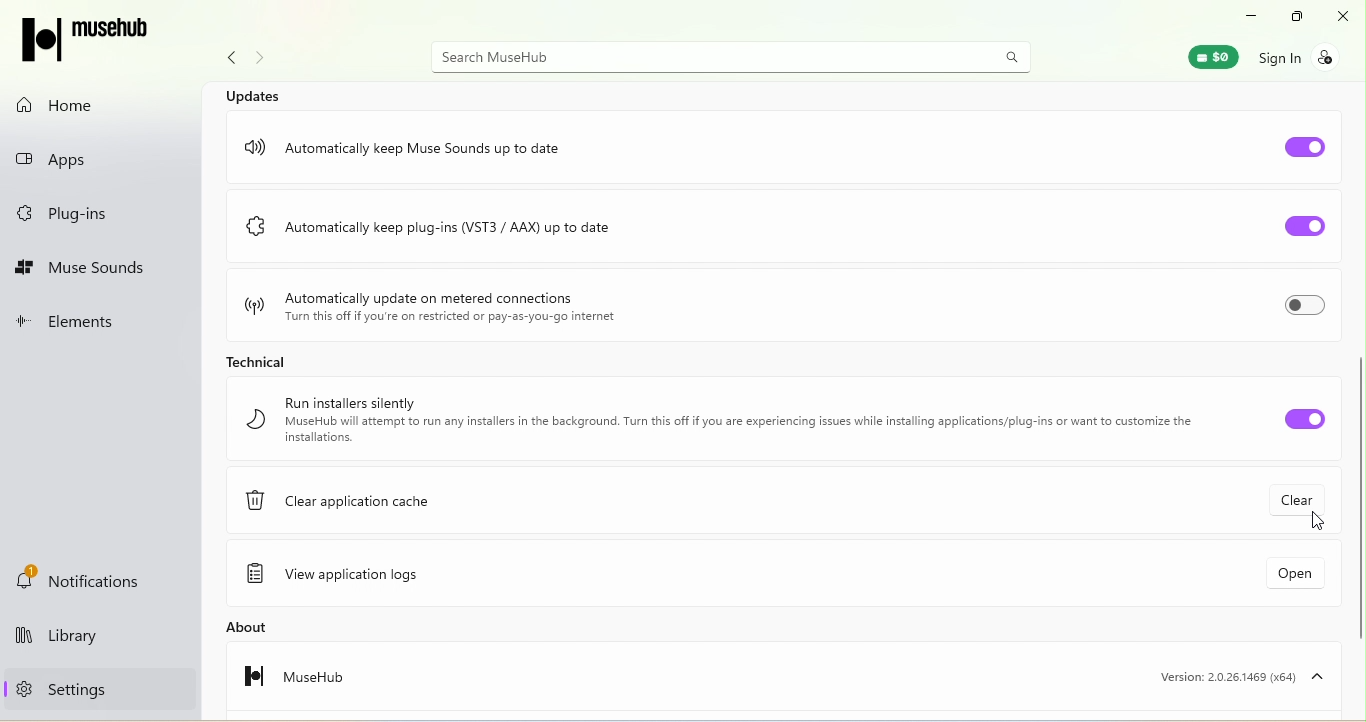 Image resolution: width=1366 pixels, height=722 pixels. Describe the element at coordinates (1358, 399) in the screenshot. I see `Scroll bar` at that location.